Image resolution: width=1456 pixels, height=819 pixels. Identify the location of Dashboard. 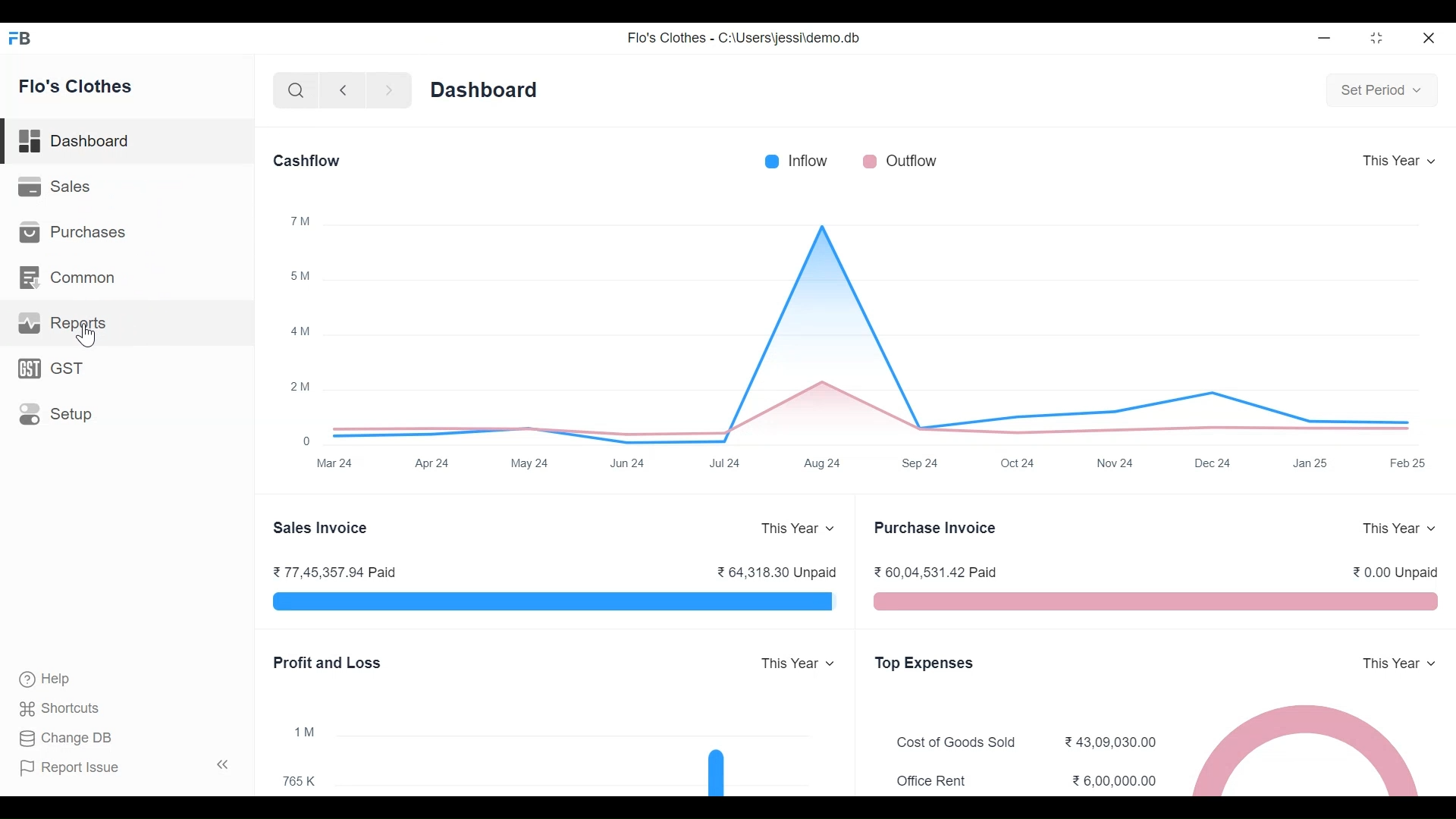
(126, 142).